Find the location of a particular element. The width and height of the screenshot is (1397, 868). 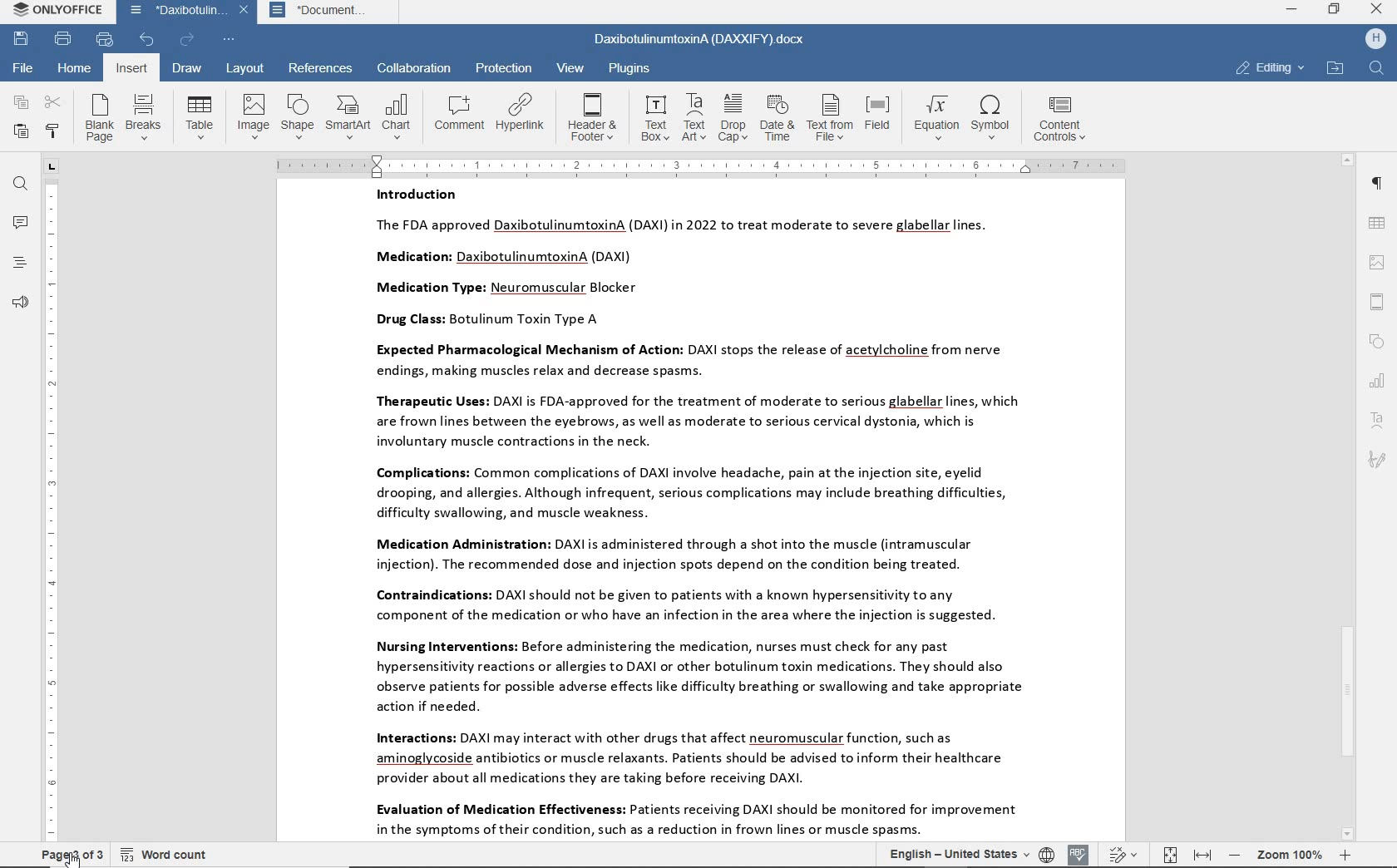

SmartArt is located at coordinates (348, 117).